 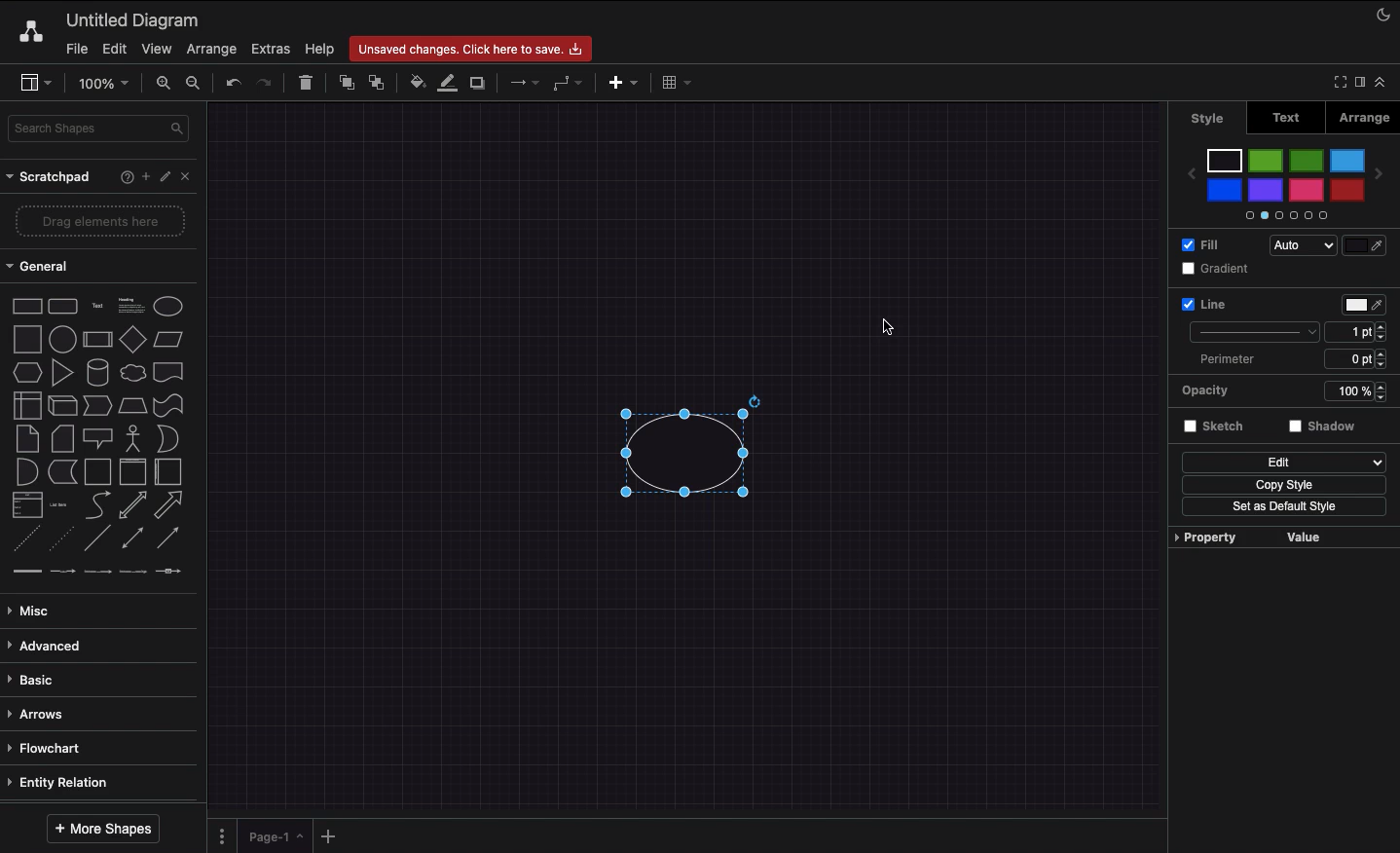 I want to click on Arrange, so click(x=1366, y=116).